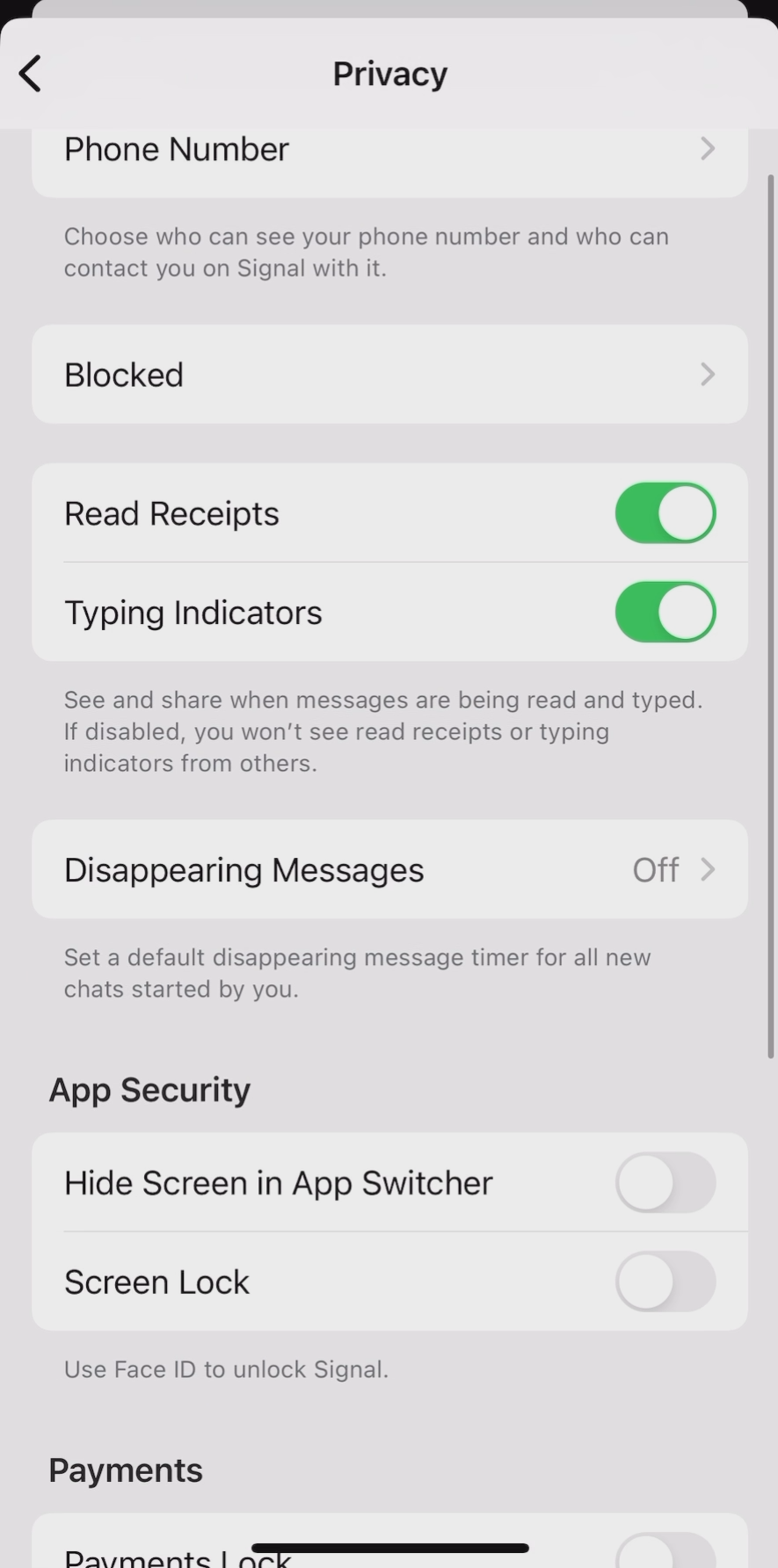  Describe the element at coordinates (30, 70) in the screenshot. I see `navigate back` at that location.